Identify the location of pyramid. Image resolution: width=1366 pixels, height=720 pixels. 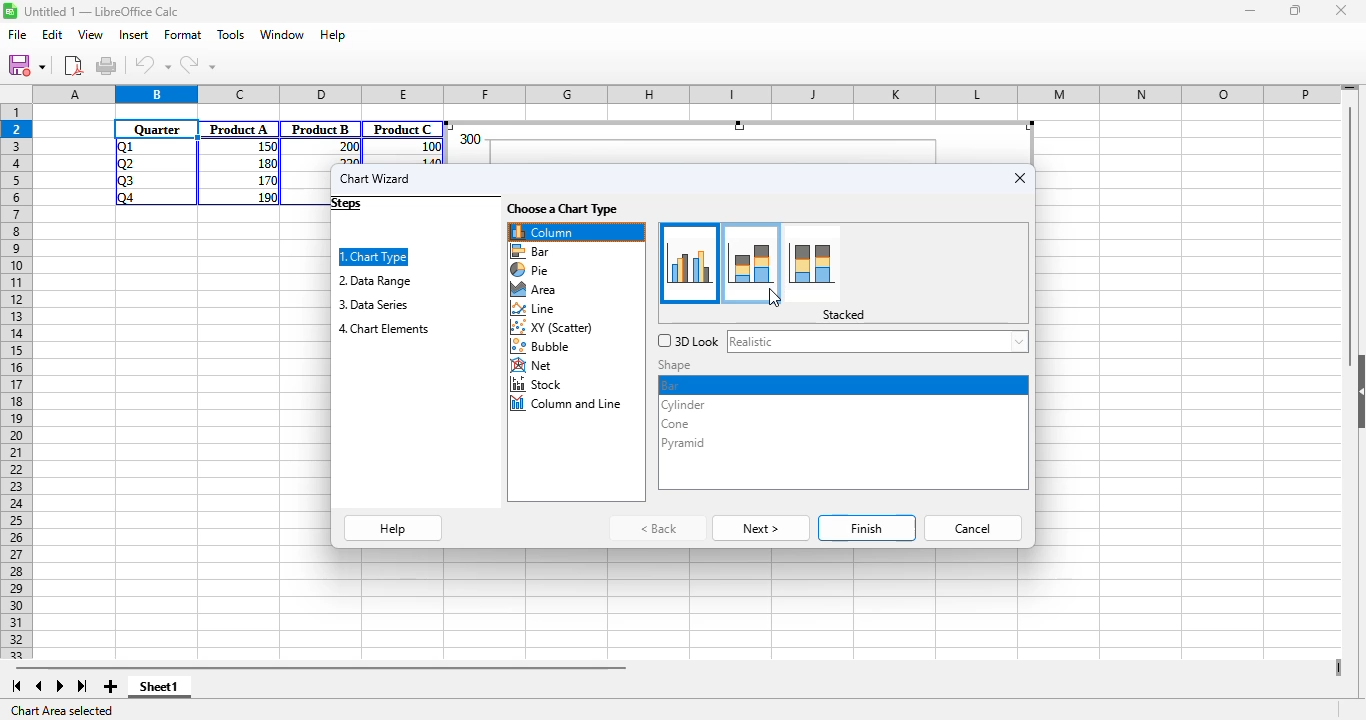
(684, 442).